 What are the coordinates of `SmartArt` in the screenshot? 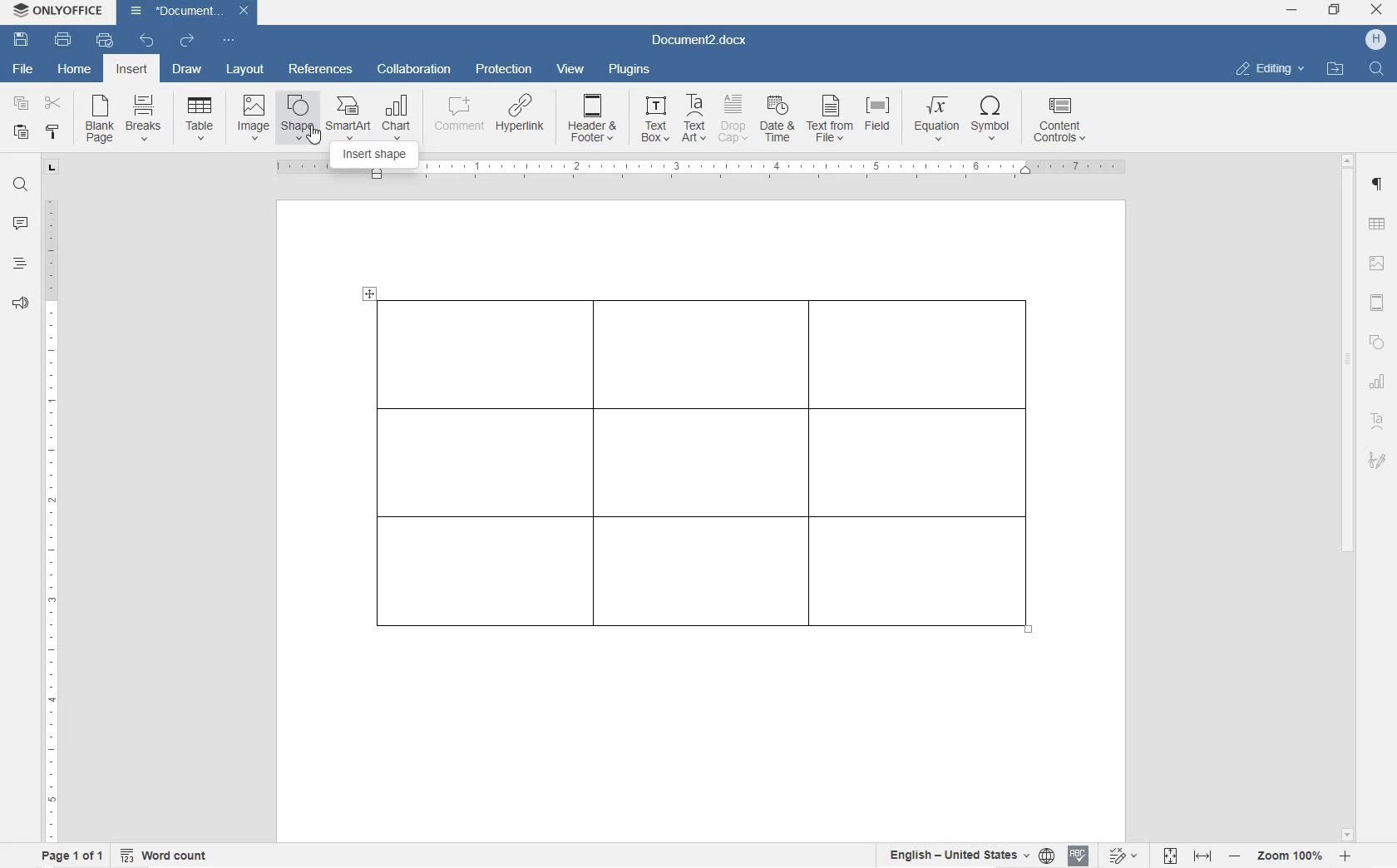 It's located at (348, 118).